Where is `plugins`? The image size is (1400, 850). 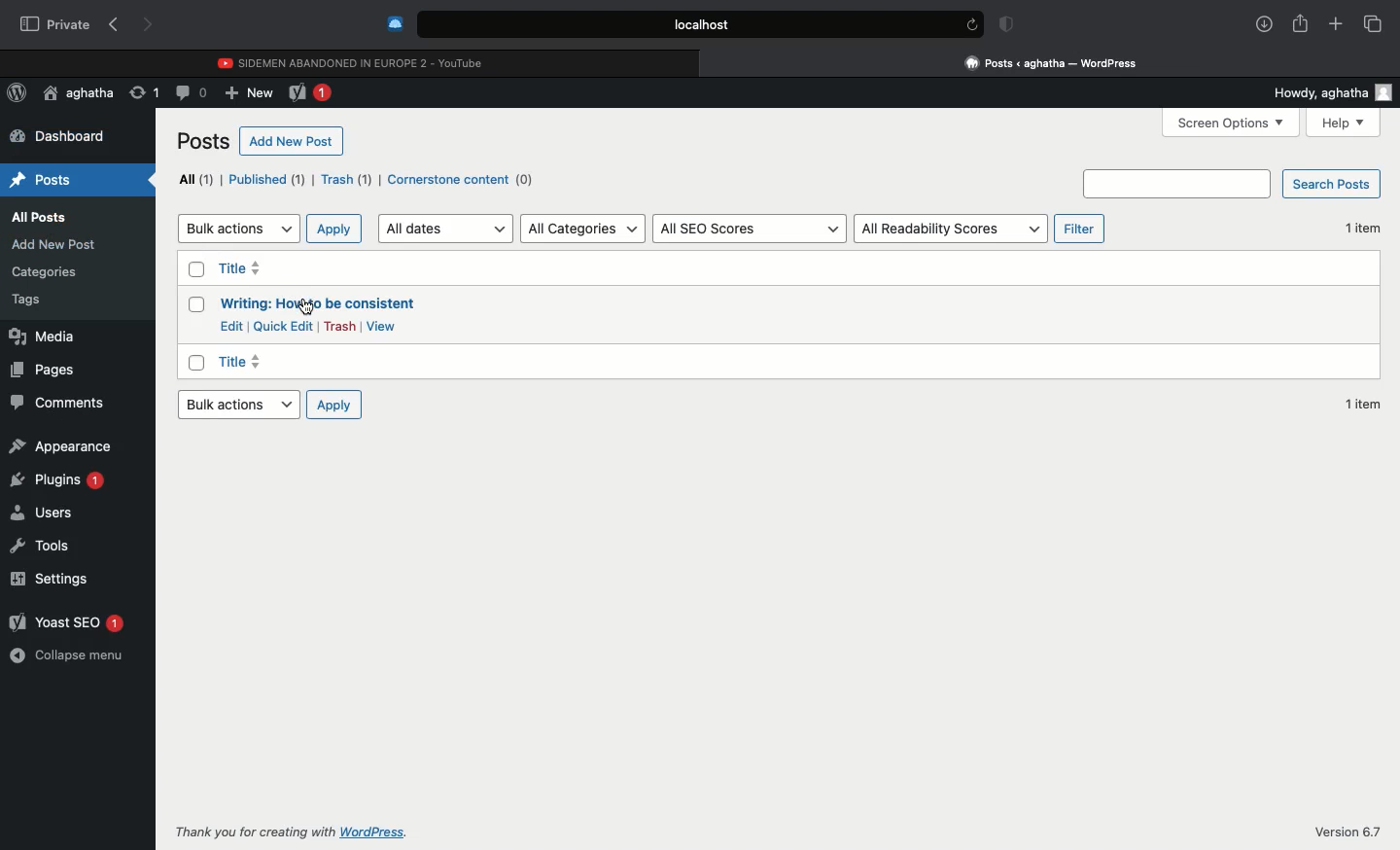 plugins is located at coordinates (59, 480).